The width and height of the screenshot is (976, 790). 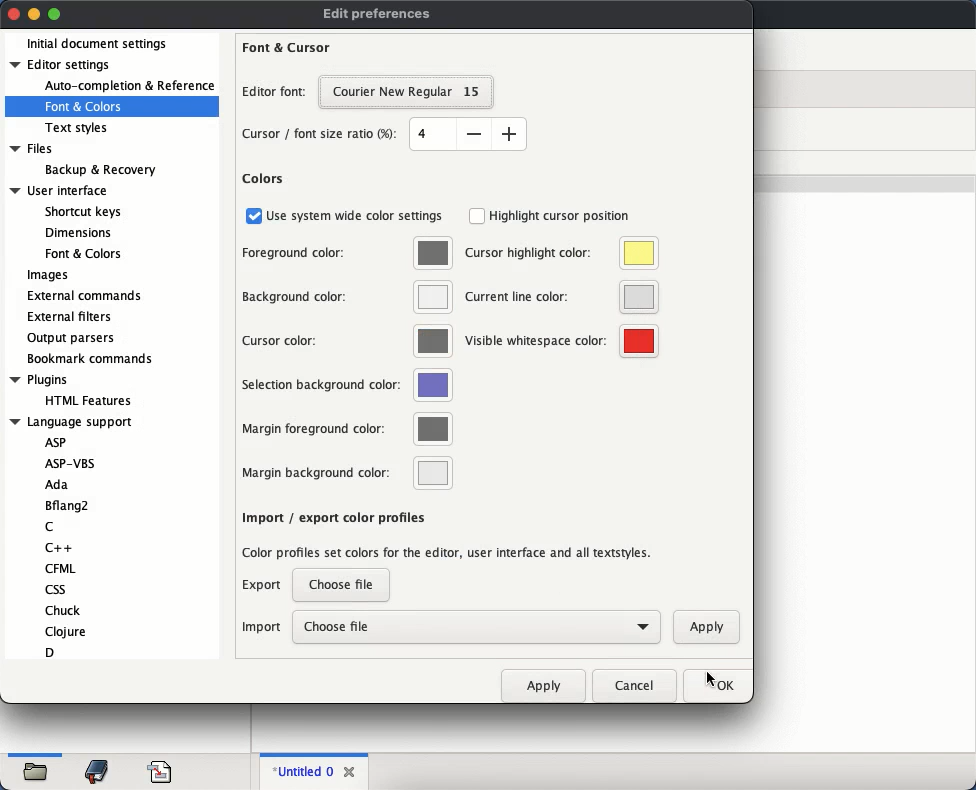 What do you see at coordinates (59, 568) in the screenshot?
I see `cfml` at bounding box center [59, 568].